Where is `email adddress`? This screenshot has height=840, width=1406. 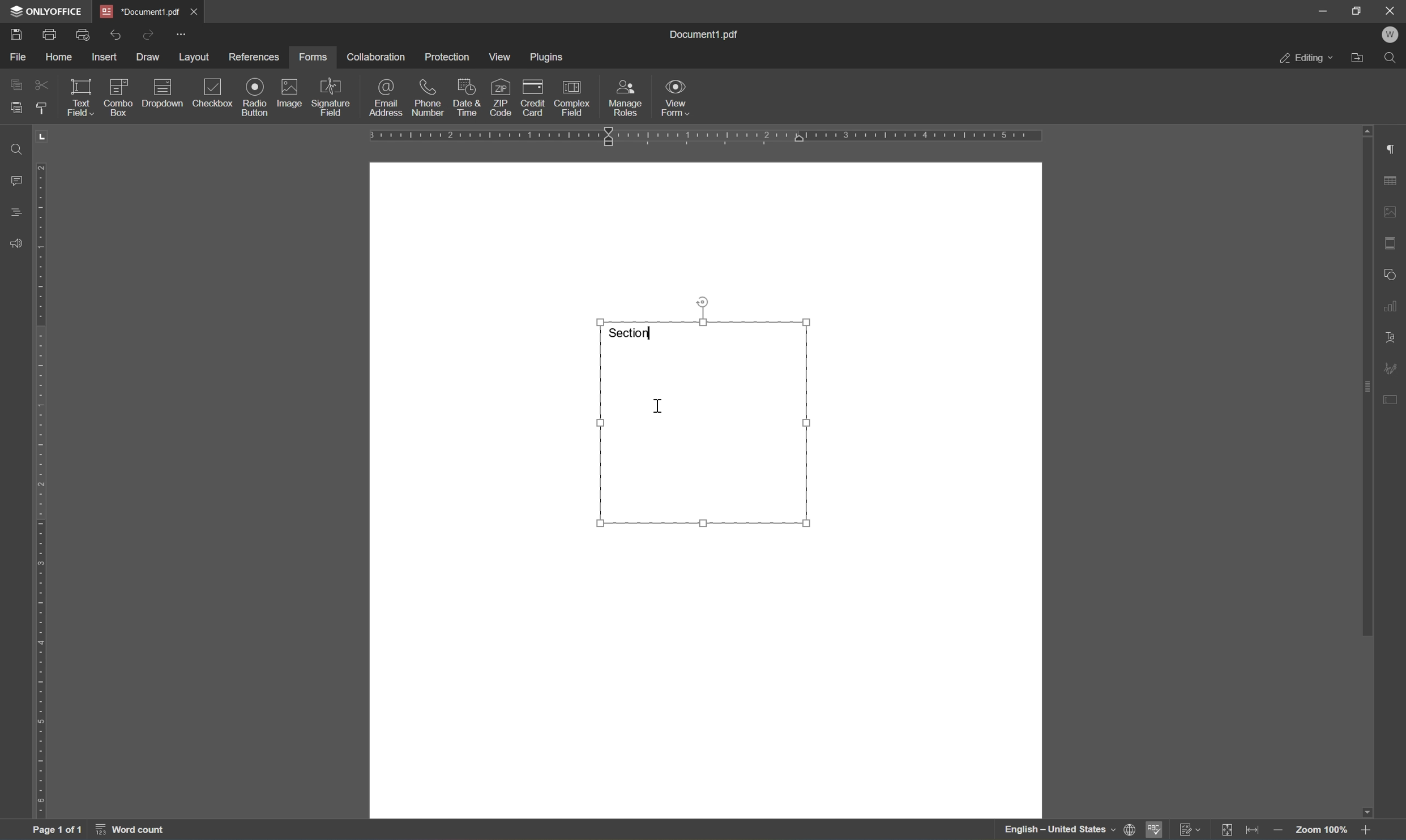
email adddress is located at coordinates (385, 97).